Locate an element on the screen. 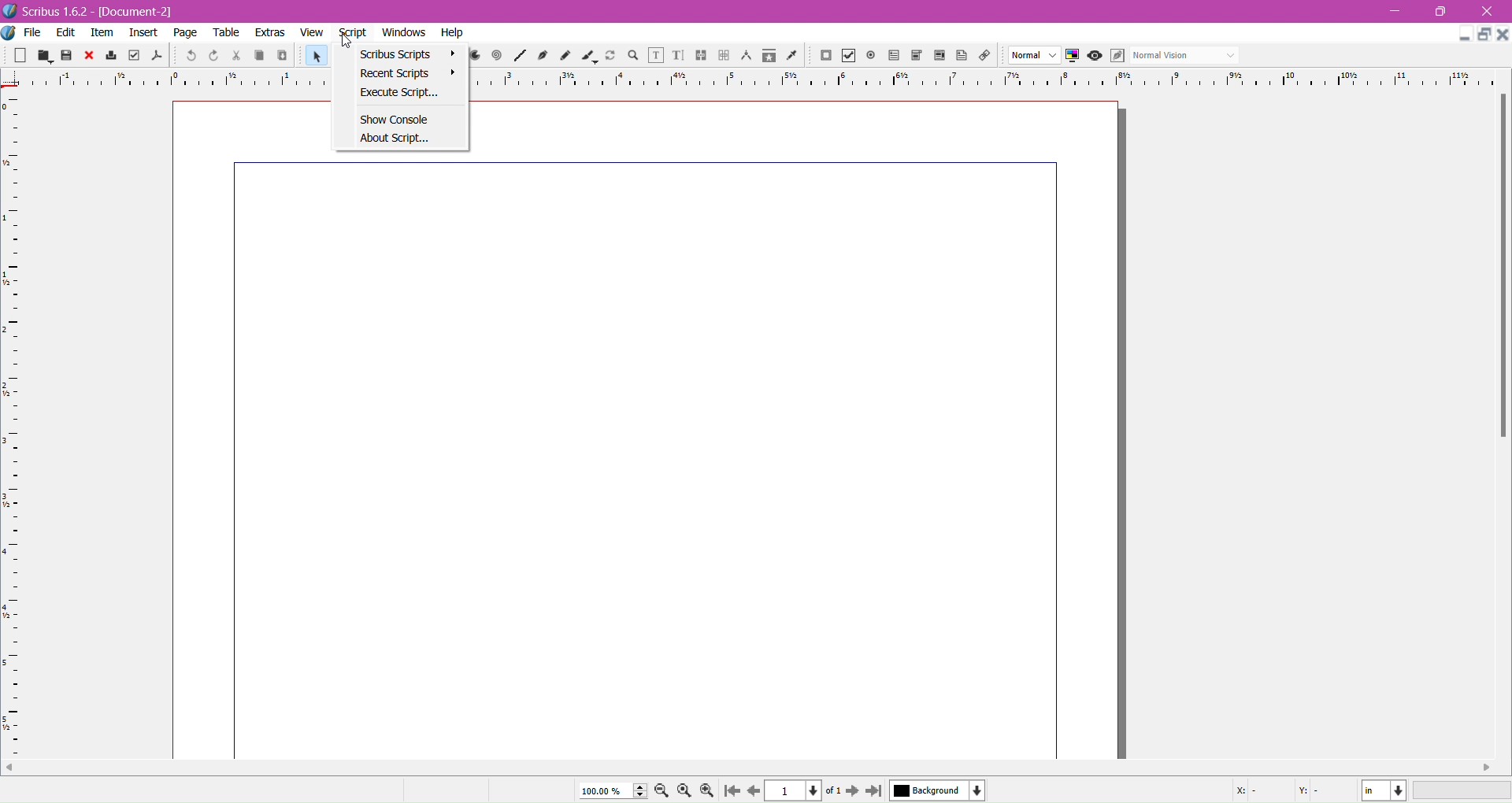 The height and width of the screenshot is (803, 1512). Spiral is located at coordinates (496, 56).